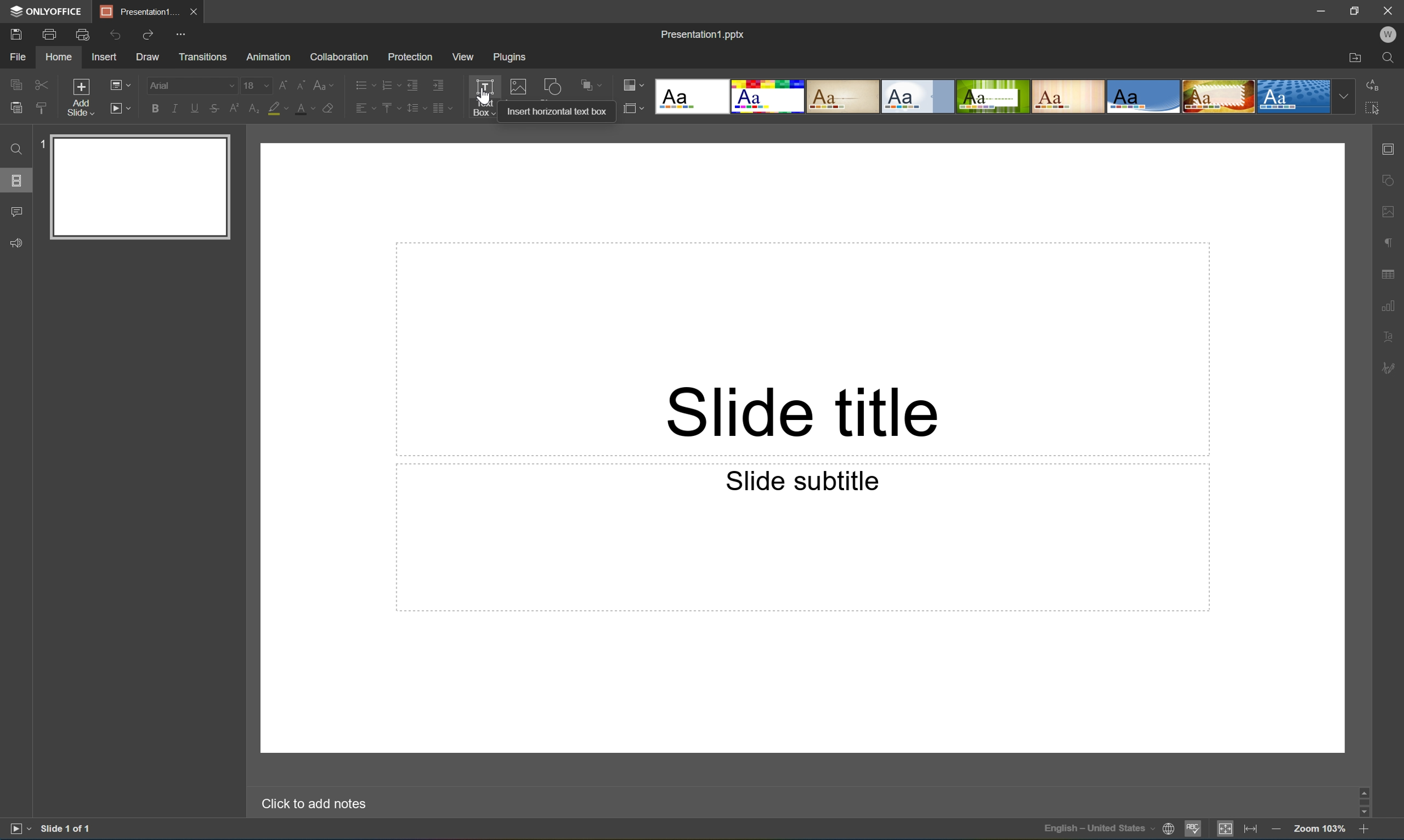 This screenshot has width=1404, height=840. What do you see at coordinates (701, 32) in the screenshot?
I see `Presentation1.pptx` at bounding box center [701, 32].